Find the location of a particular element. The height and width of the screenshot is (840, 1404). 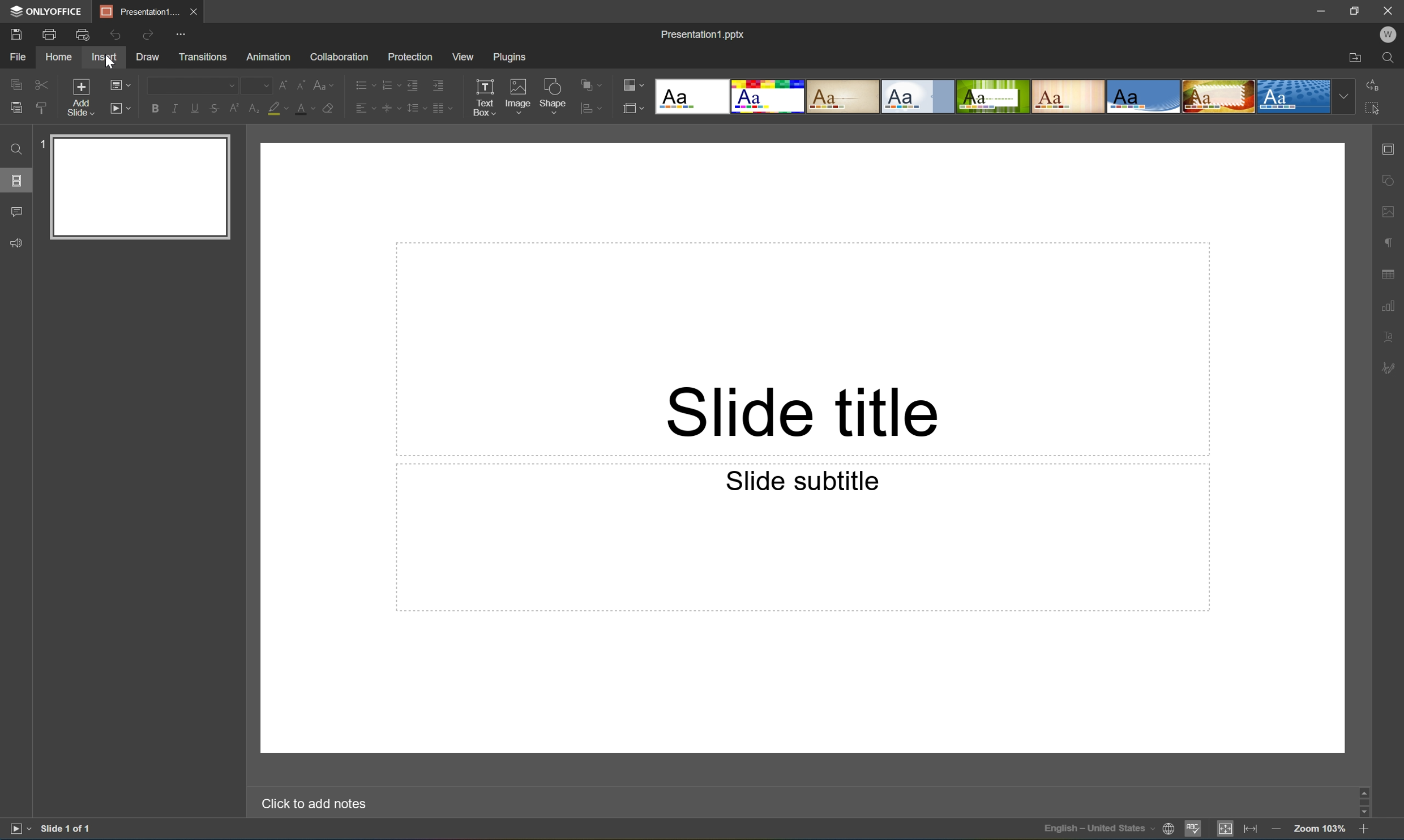

Collaboration is located at coordinates (341, 58).